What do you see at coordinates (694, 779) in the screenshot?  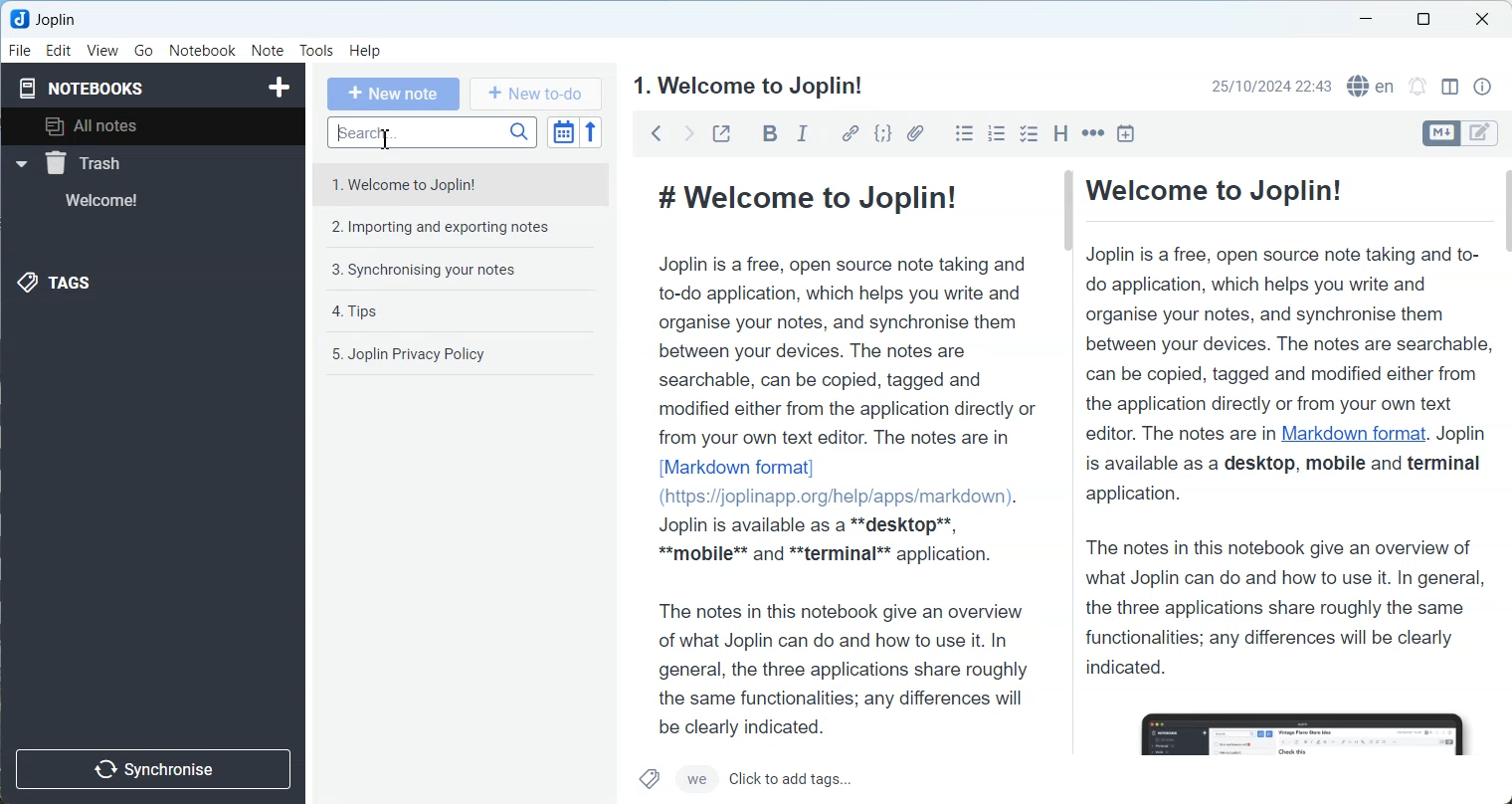 I see `we` at bounding box center [694, 779].